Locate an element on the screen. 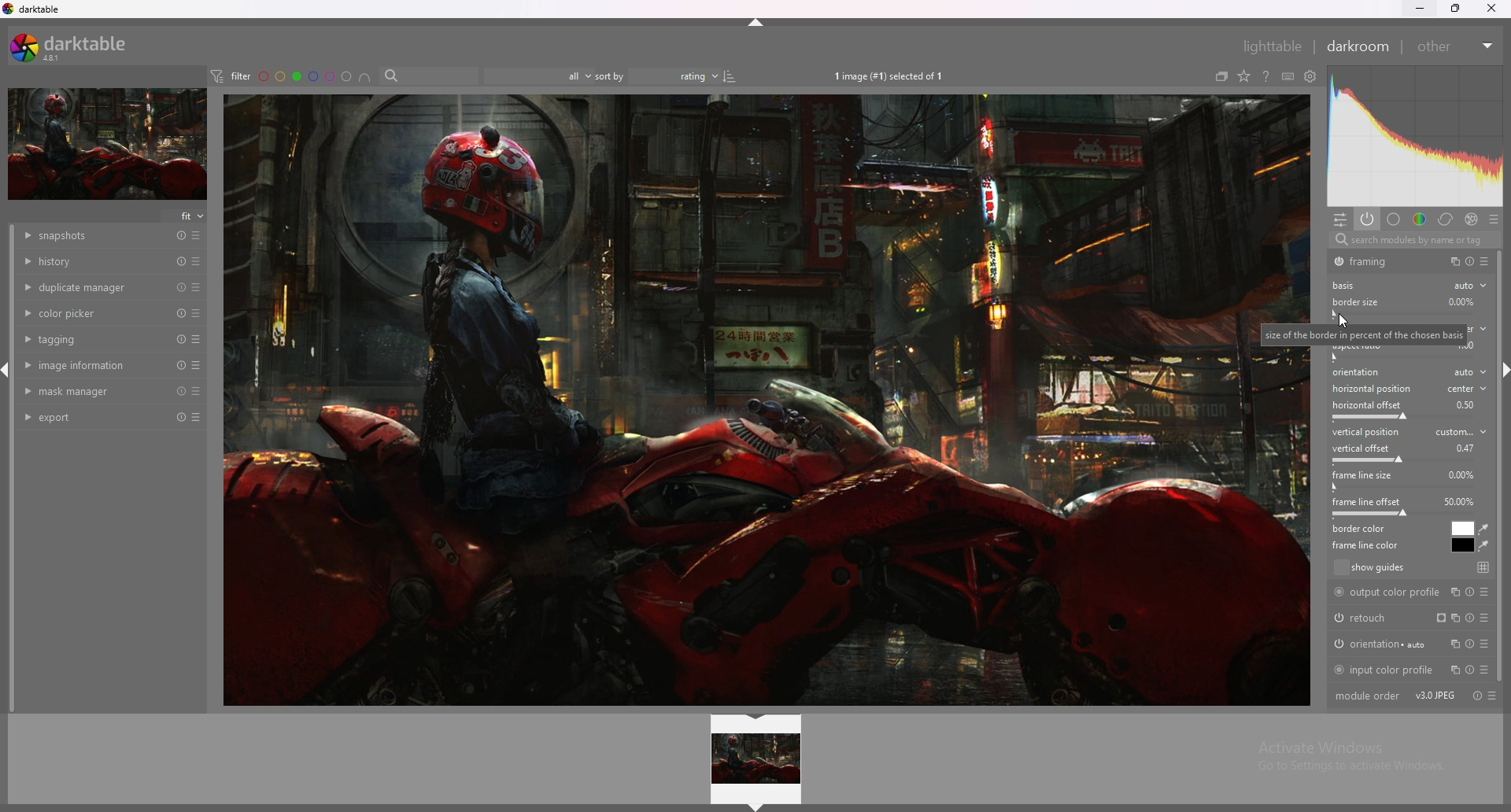 The image size is (1511, 812). border color is located at coordinates (1463, 528).